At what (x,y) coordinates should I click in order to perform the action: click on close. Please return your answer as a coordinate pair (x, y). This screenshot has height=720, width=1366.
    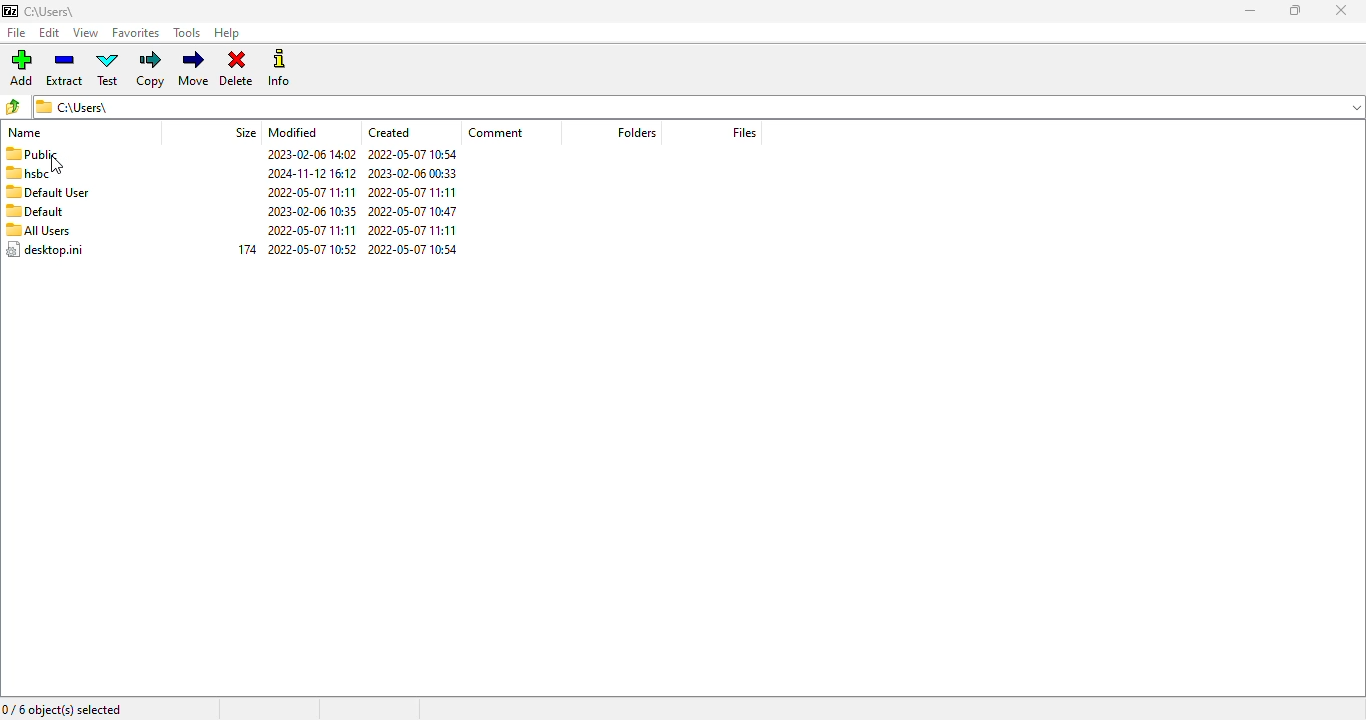
    Looking at the image, I should click on (1341, 10).